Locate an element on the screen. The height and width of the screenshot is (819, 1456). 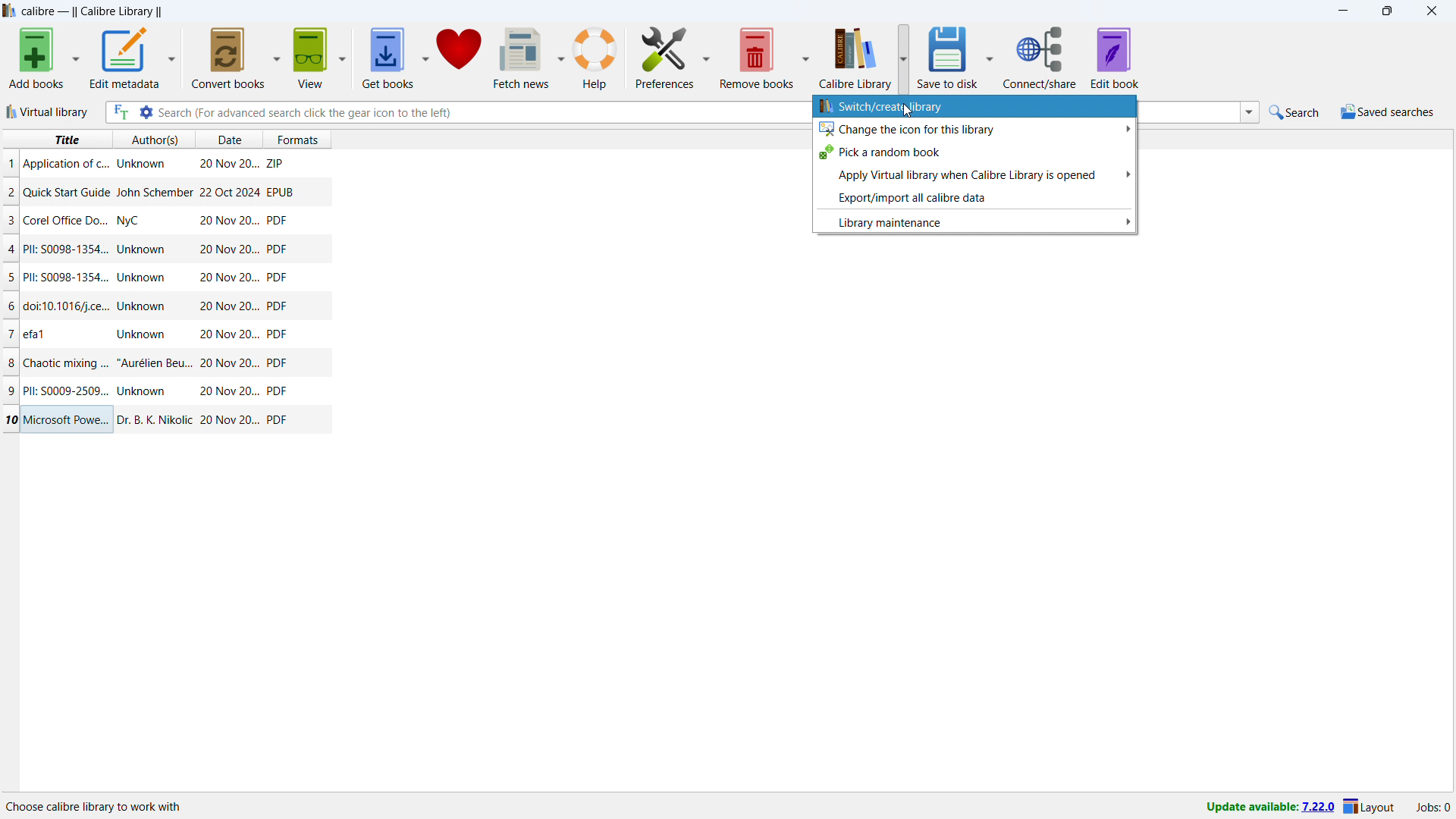
search history is located at coordinates (1250, 113).